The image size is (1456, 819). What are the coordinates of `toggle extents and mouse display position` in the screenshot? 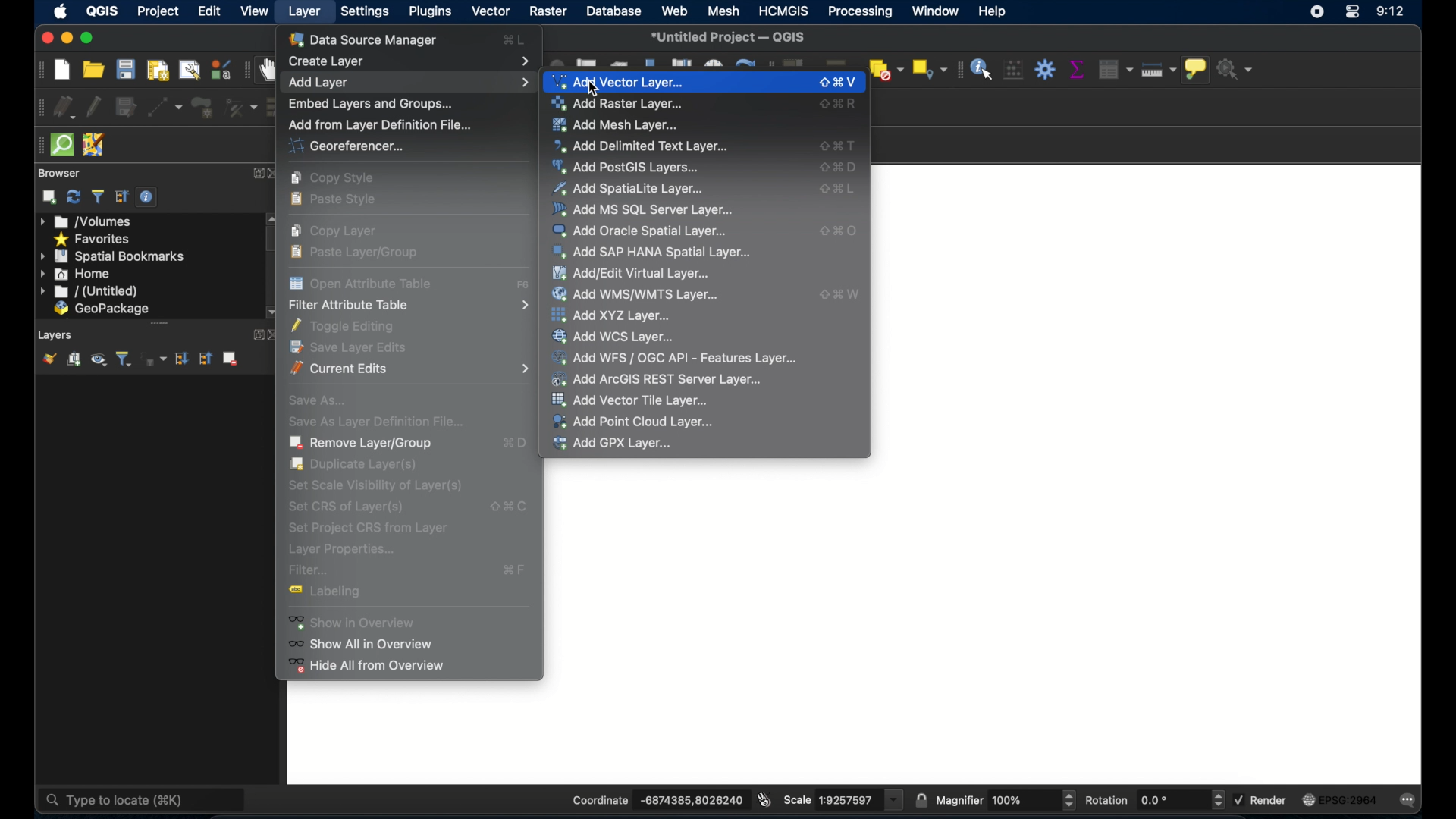 It's located at (763, 799).